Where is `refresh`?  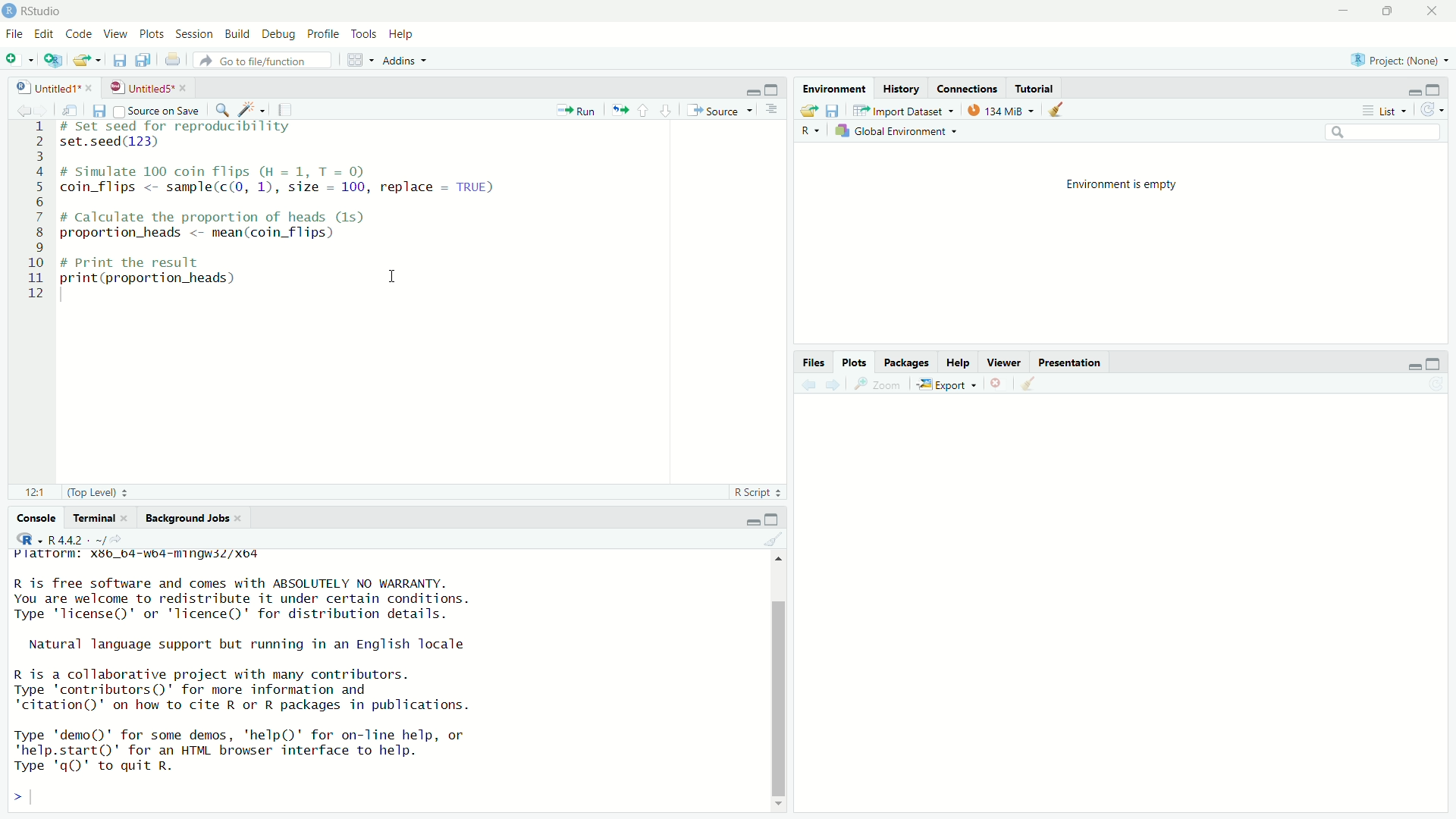
refresh is located at coordinates (1439, 110).